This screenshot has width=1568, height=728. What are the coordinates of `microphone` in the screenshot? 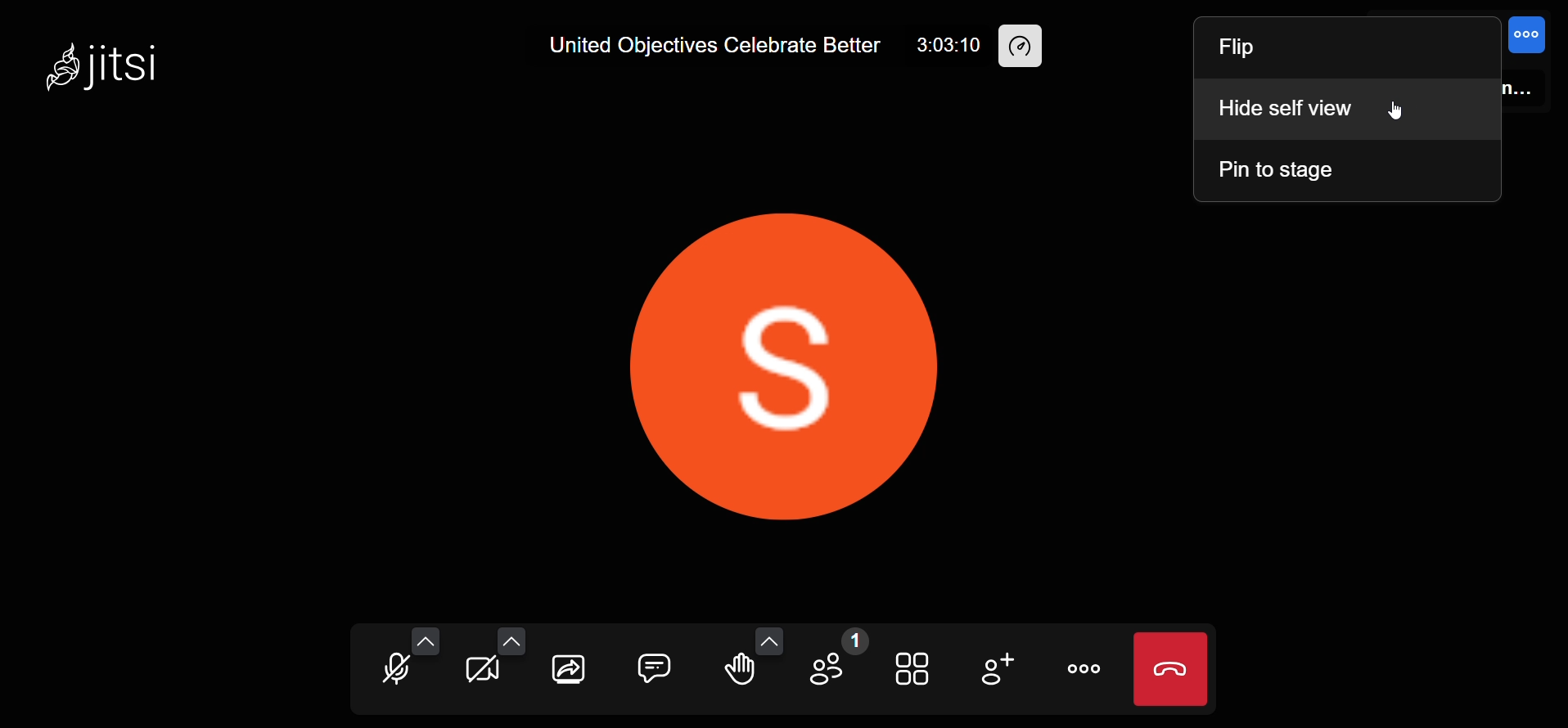 It's located at (394, 672).